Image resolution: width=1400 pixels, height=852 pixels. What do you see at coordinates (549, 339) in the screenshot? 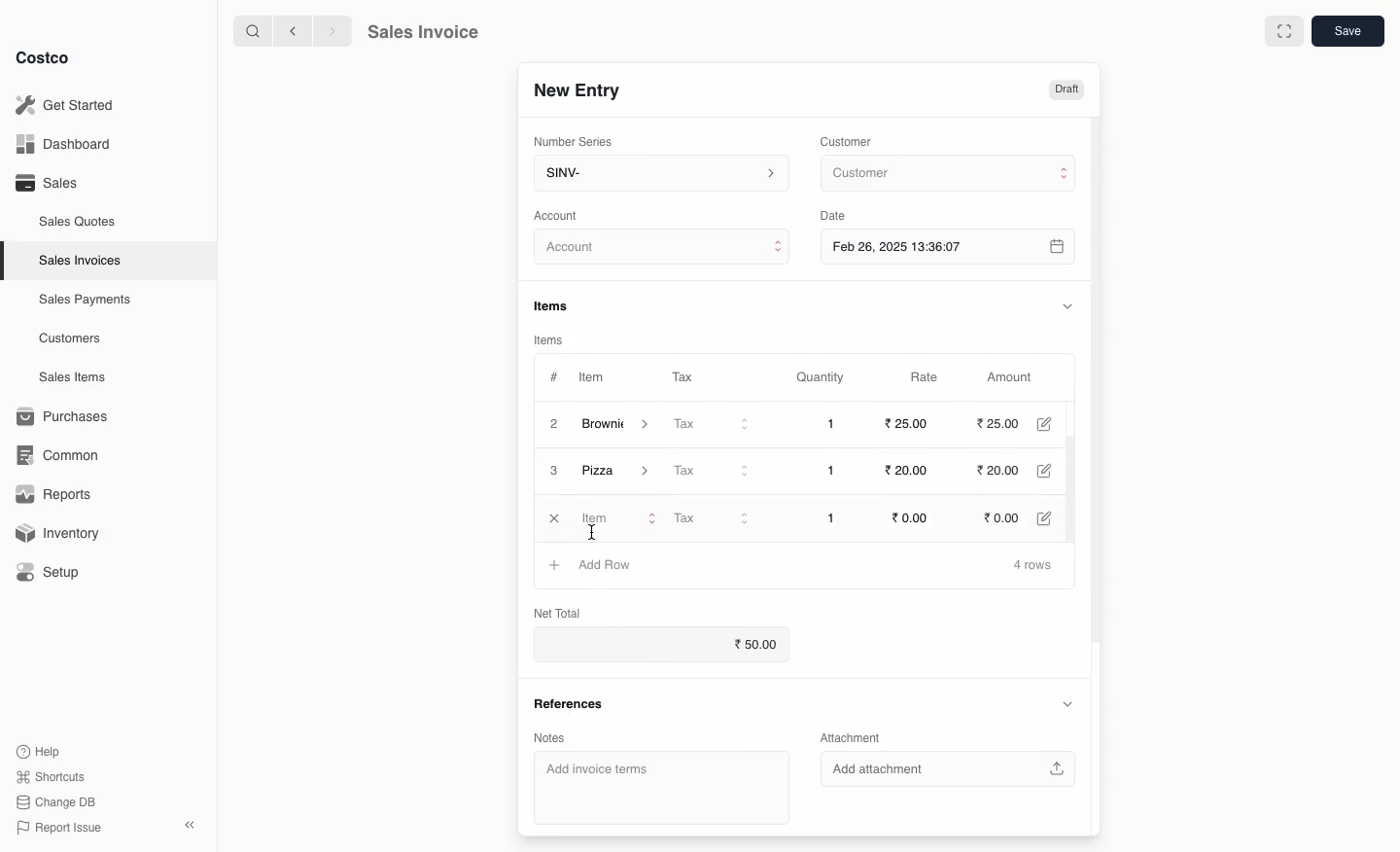
I see `Items` at bounding box center [549, 339].